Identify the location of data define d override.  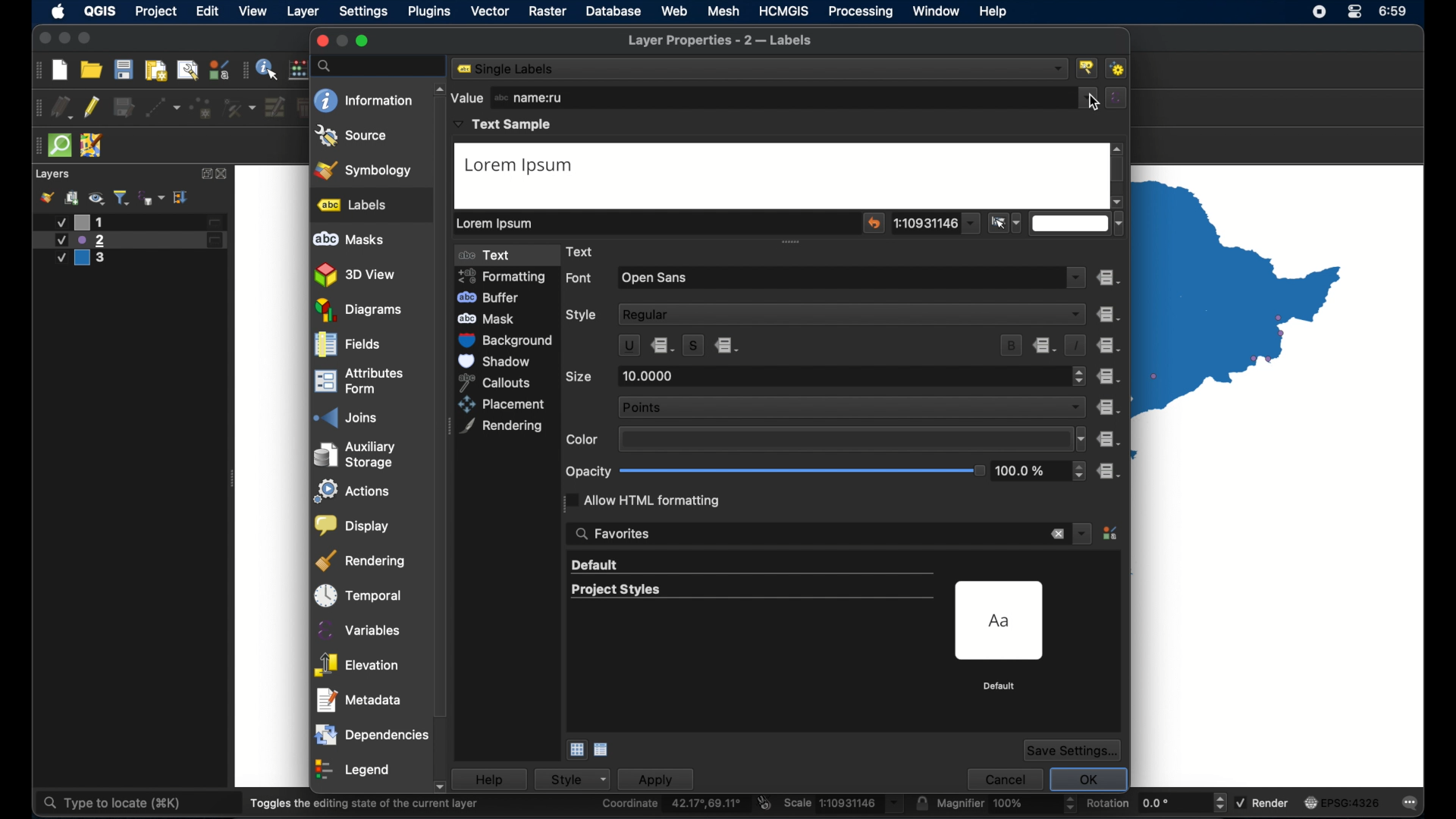
(664, 345).